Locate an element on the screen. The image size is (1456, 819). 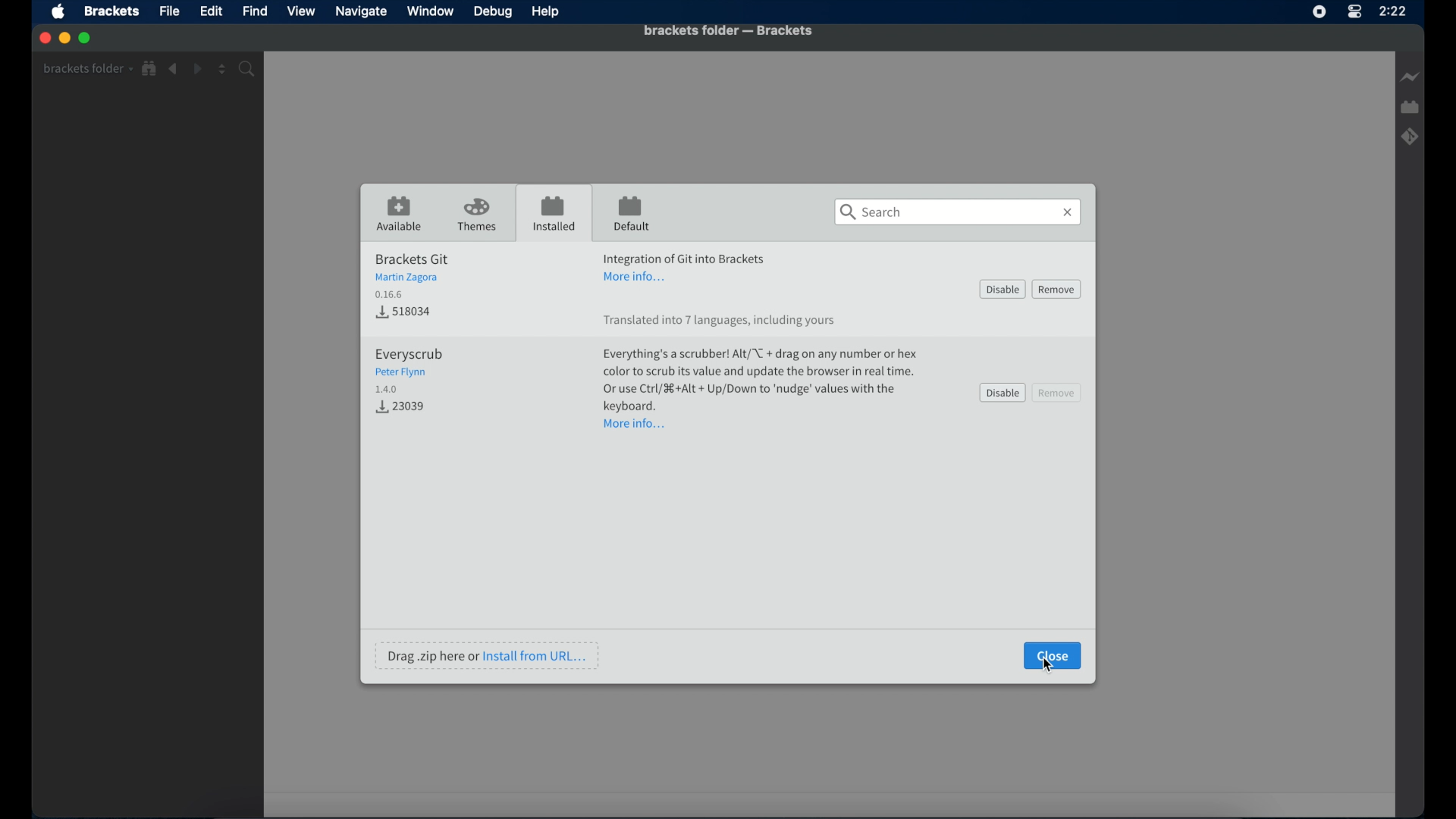
screen recorder  icon is located at coordinates (1319, 12).